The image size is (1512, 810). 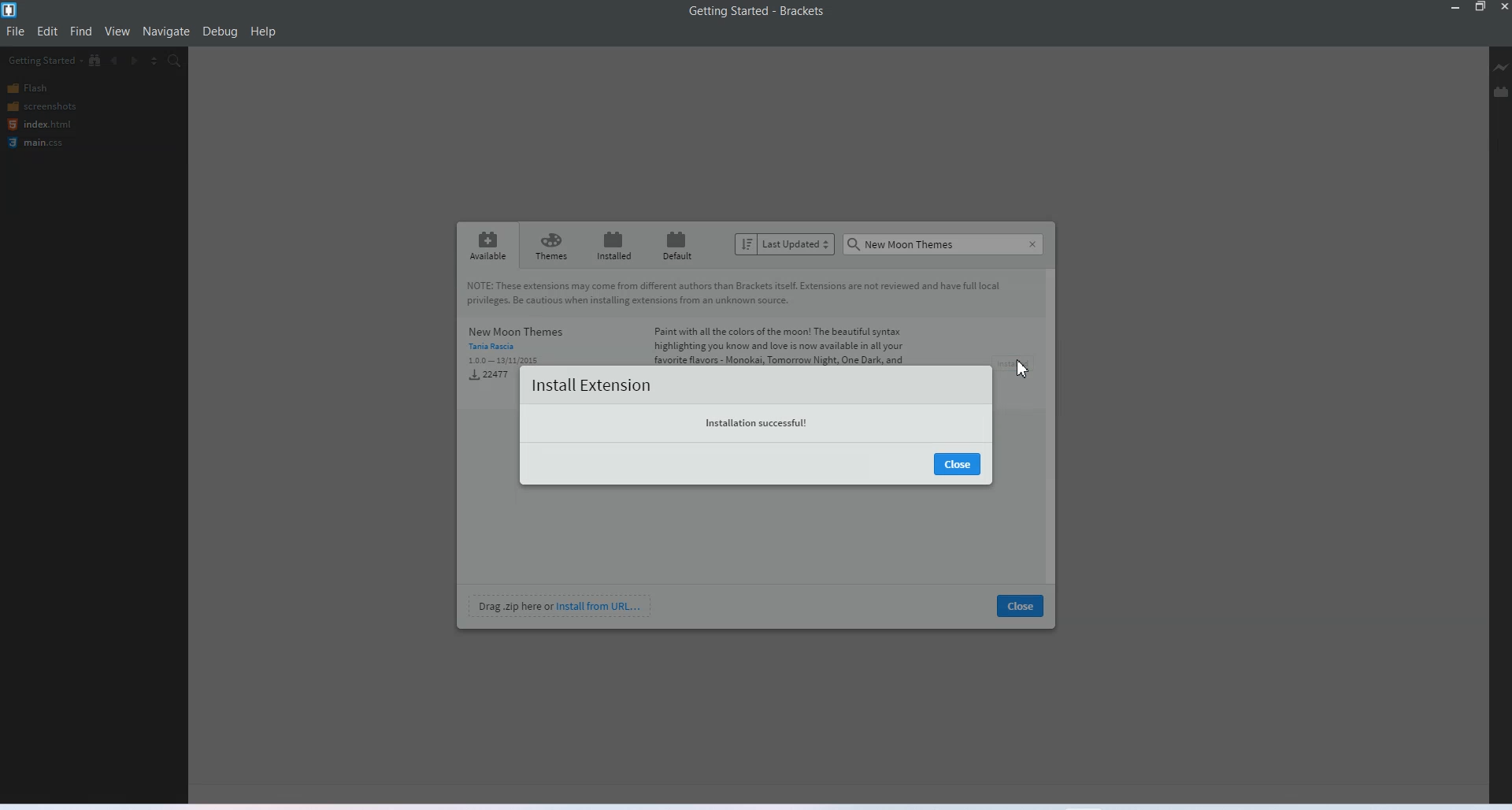 What do you see at coordinates (1503, 8) in the screenshot?
I see `Close` at bounding box center [1503, 8].